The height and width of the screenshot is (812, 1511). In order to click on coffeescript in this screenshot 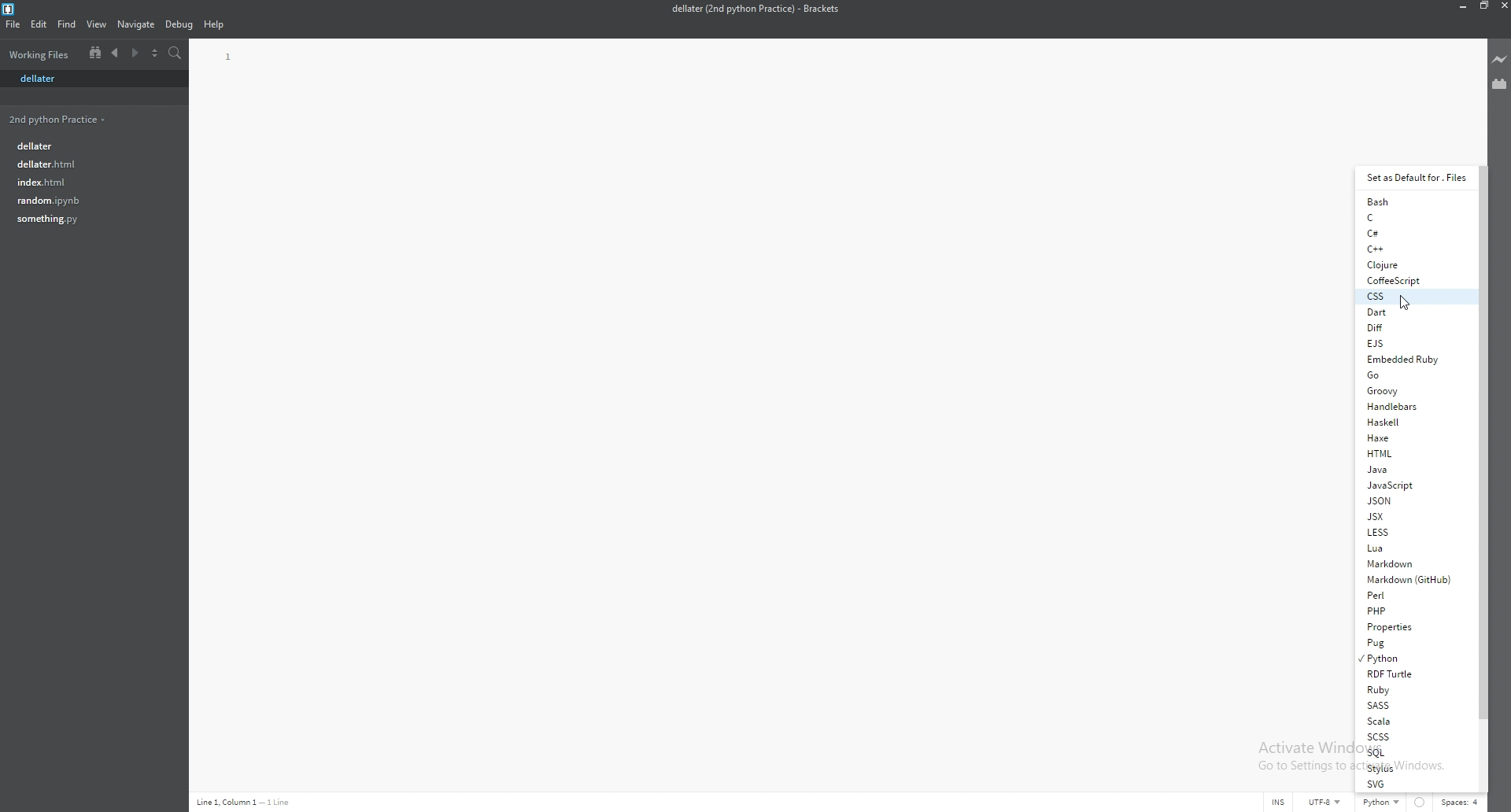, I will do `click(1413, 280)`.